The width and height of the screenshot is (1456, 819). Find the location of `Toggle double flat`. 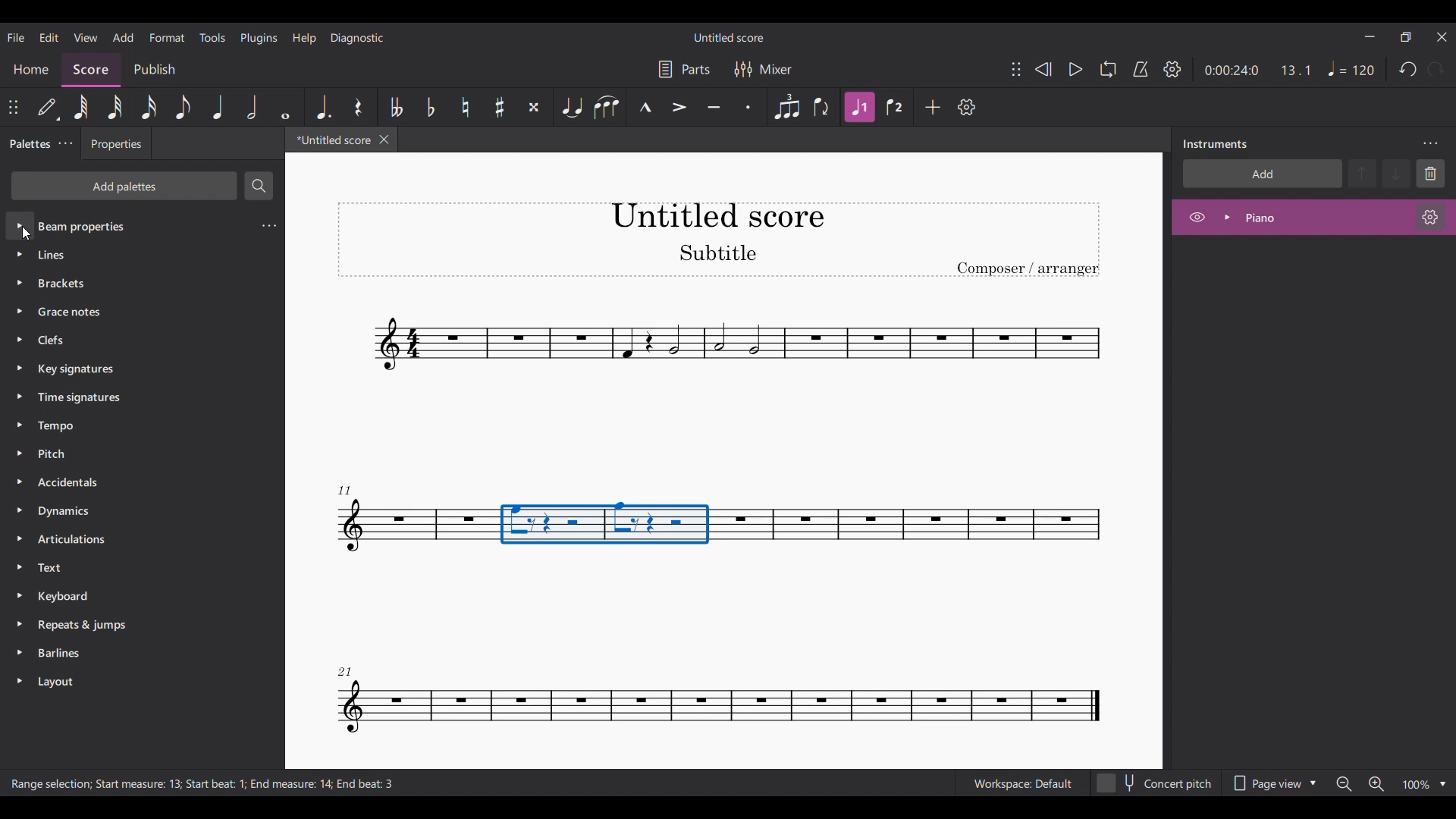

Toggle double flat is located at coordinates (396, 107).